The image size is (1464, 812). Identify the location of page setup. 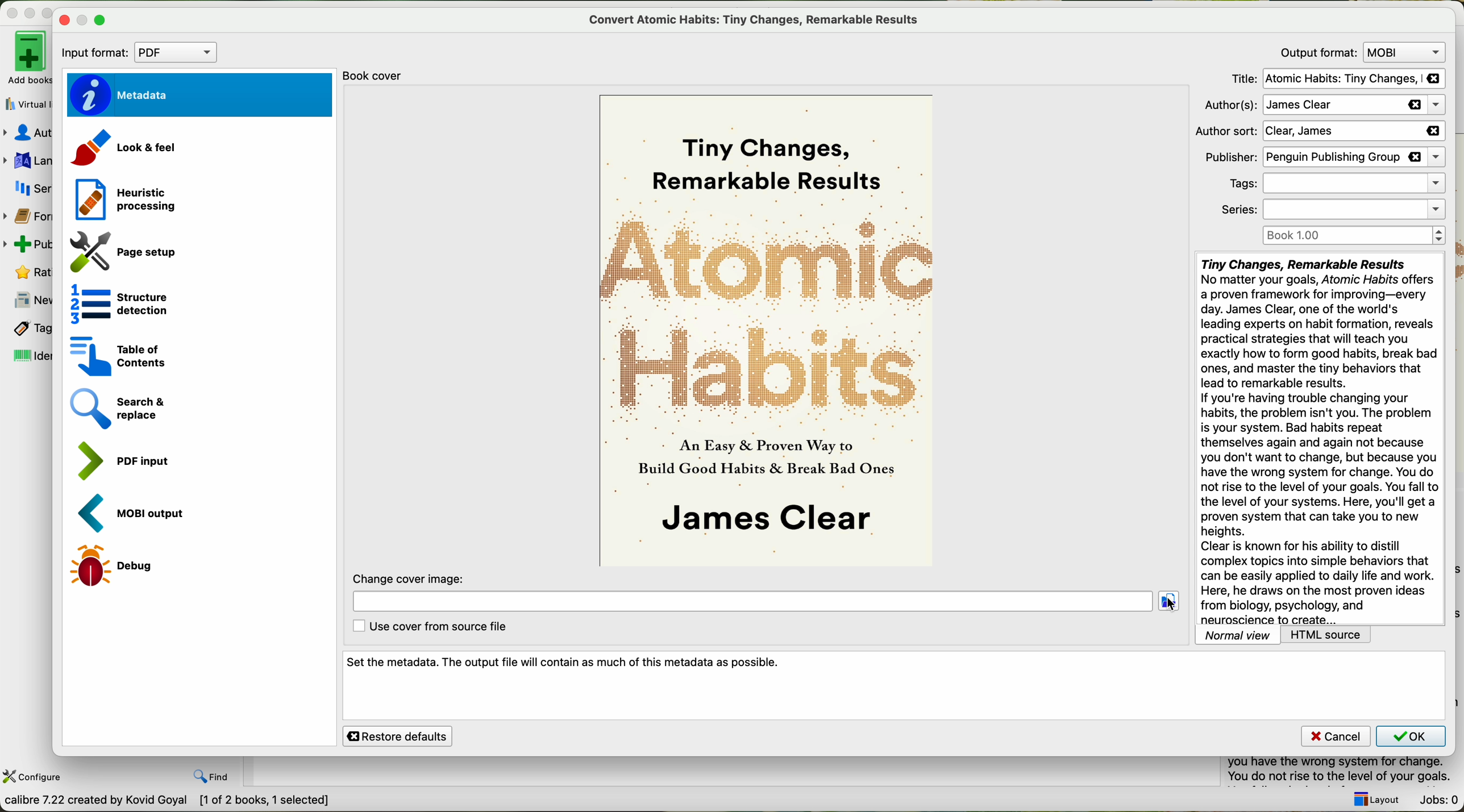
(128, 253).